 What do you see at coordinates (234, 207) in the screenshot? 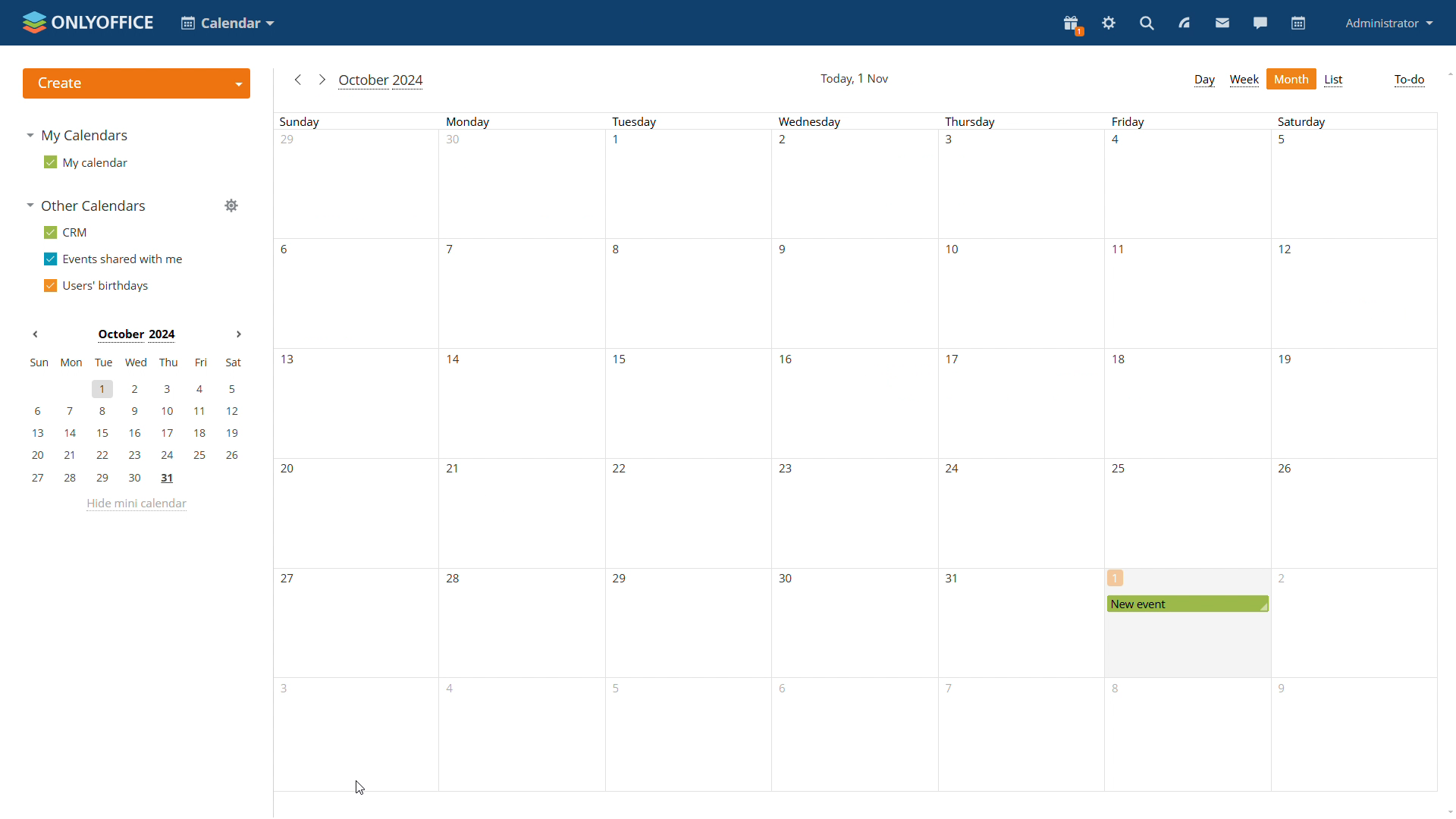
I see `manage` at bounding box center [234, 207].